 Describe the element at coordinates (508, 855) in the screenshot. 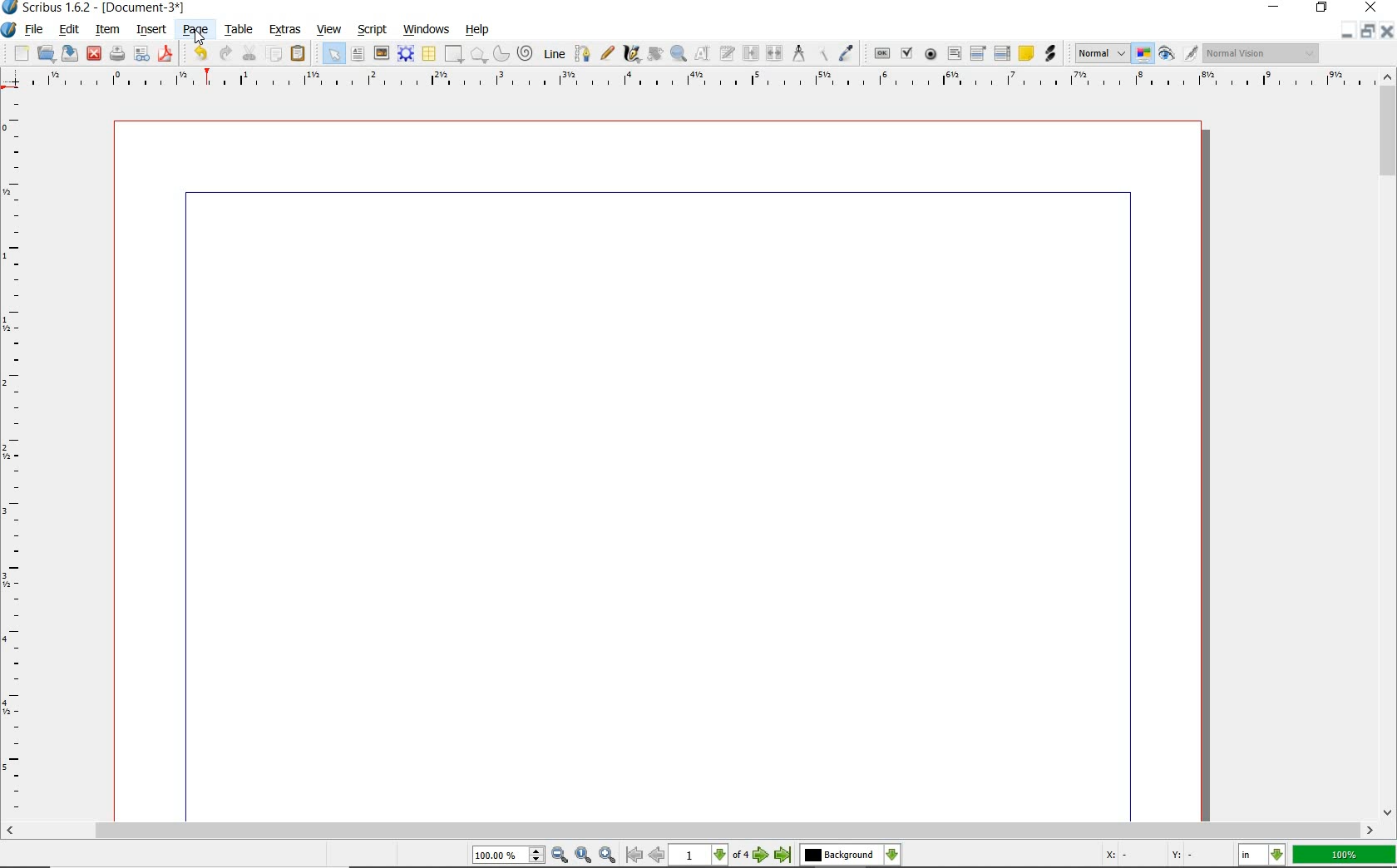

I see `Zoom 100.00%` at that location.